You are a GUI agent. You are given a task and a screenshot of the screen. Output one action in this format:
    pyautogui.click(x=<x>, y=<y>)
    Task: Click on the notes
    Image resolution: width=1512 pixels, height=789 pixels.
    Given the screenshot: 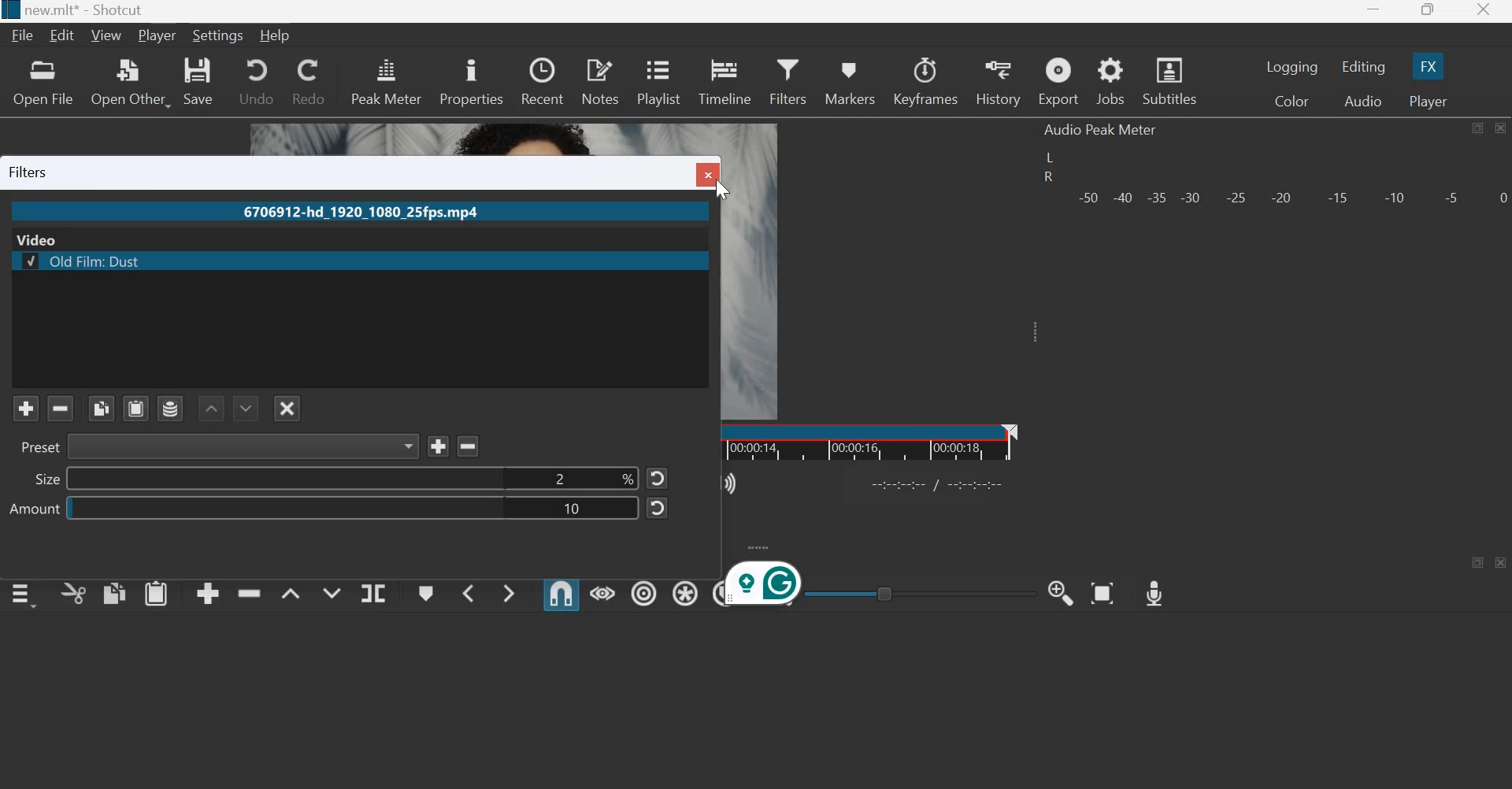 What is the action you would take?
    pyautogui.click(x=600, y=80)
    